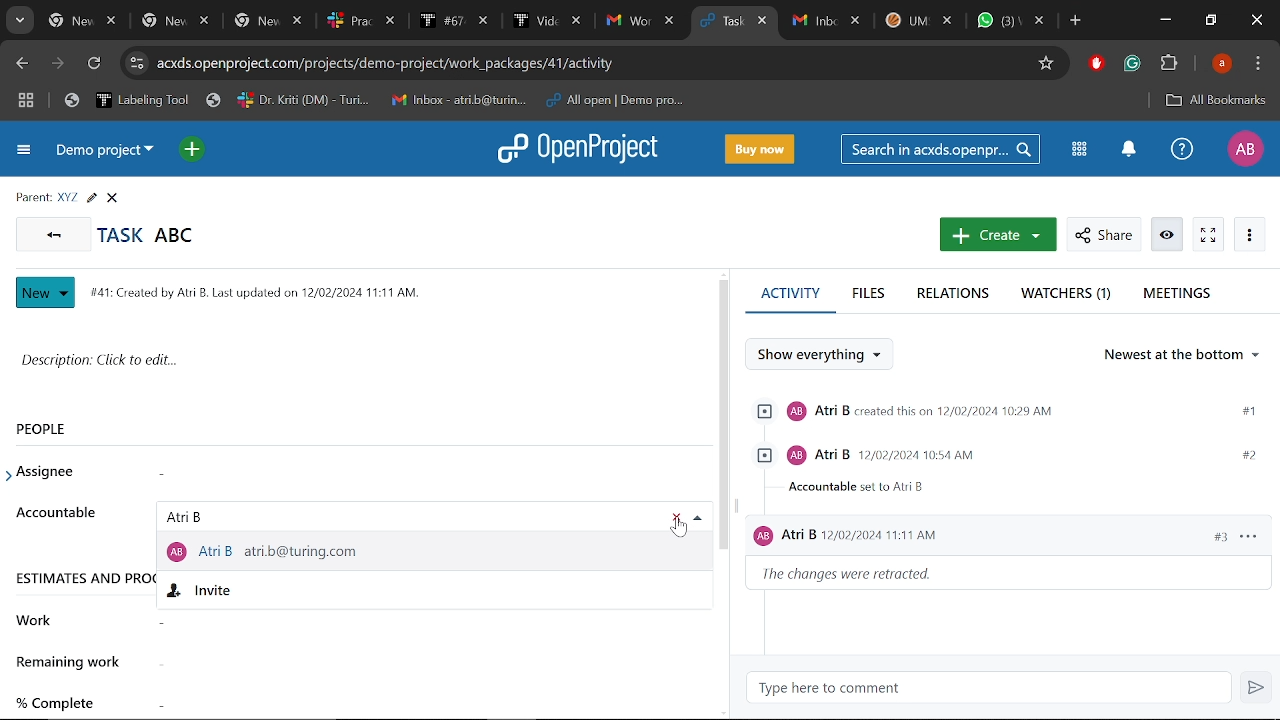 The height and width of the screenshot is (720, 1280). What do you see at coordinates (1181, 153) in the screenshot?
I see `Help` at bounding box center [1181, 153].